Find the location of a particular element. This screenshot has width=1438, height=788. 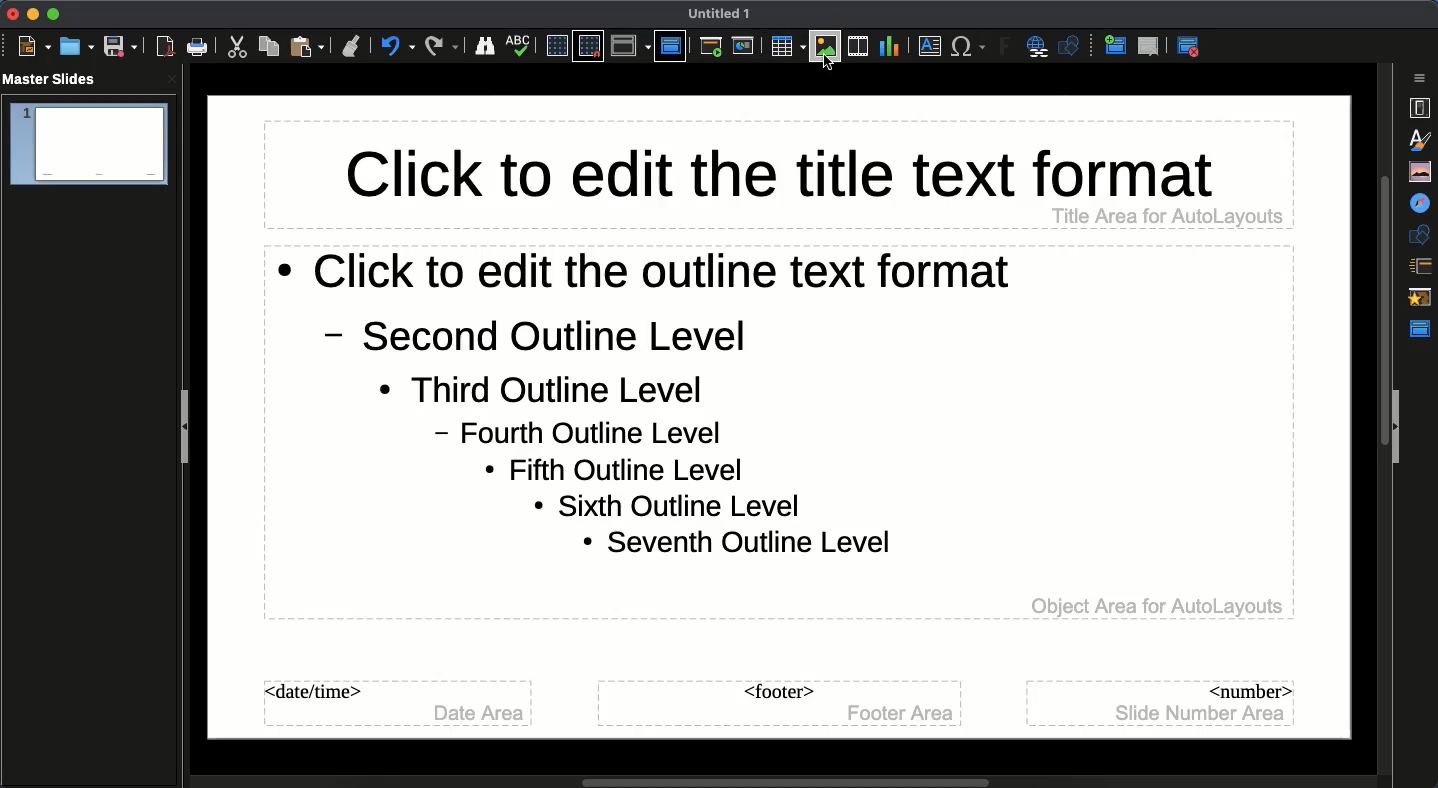

close is located at coordinates (172, 79).